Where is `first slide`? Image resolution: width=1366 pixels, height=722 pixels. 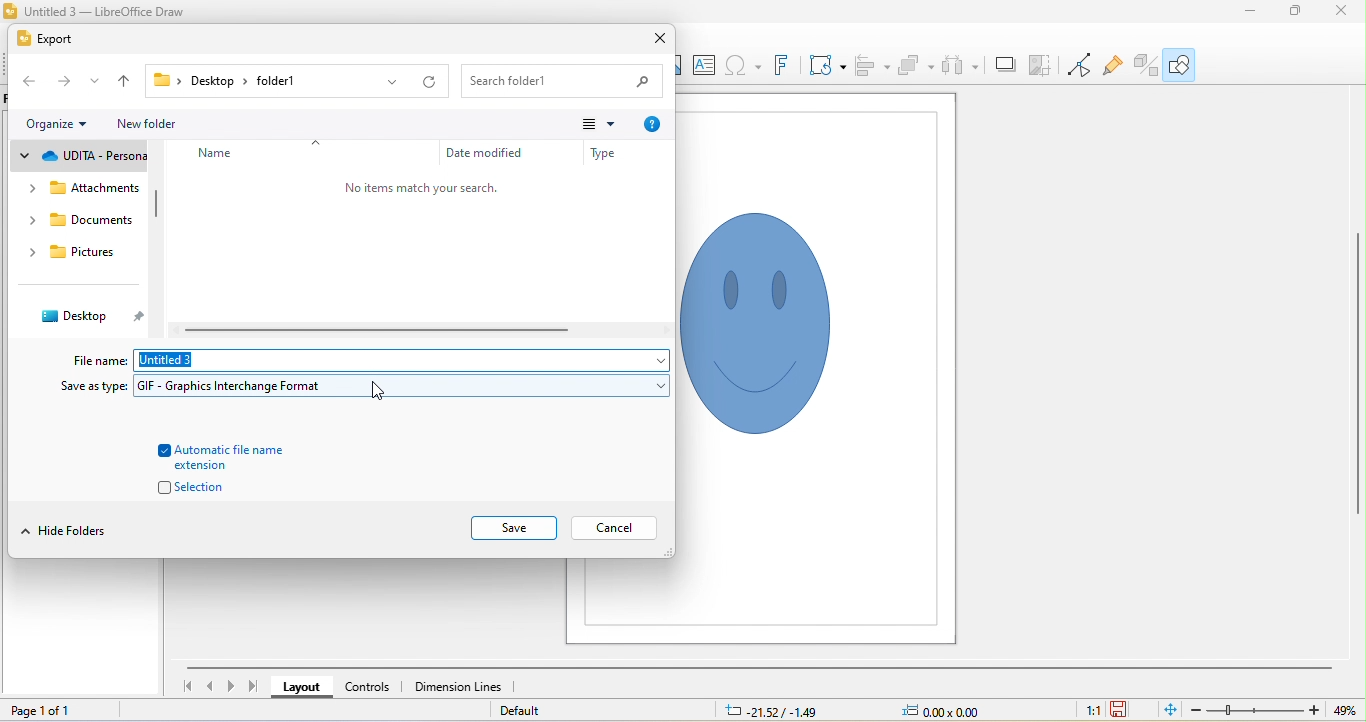
first slide is located at coordinates (191, 686).